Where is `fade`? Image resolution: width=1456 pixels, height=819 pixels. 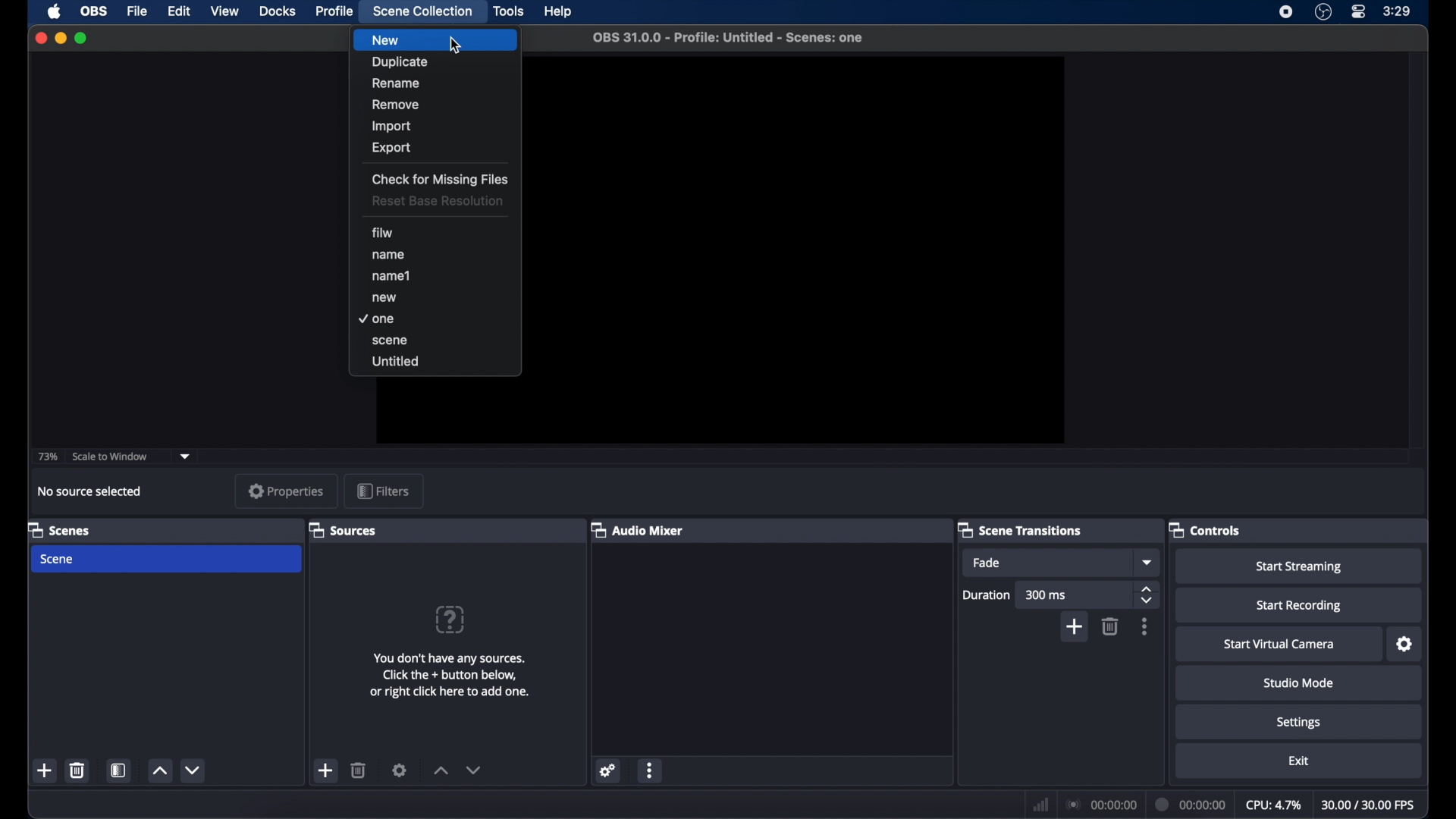
fade is located at coordinates (987, 563).